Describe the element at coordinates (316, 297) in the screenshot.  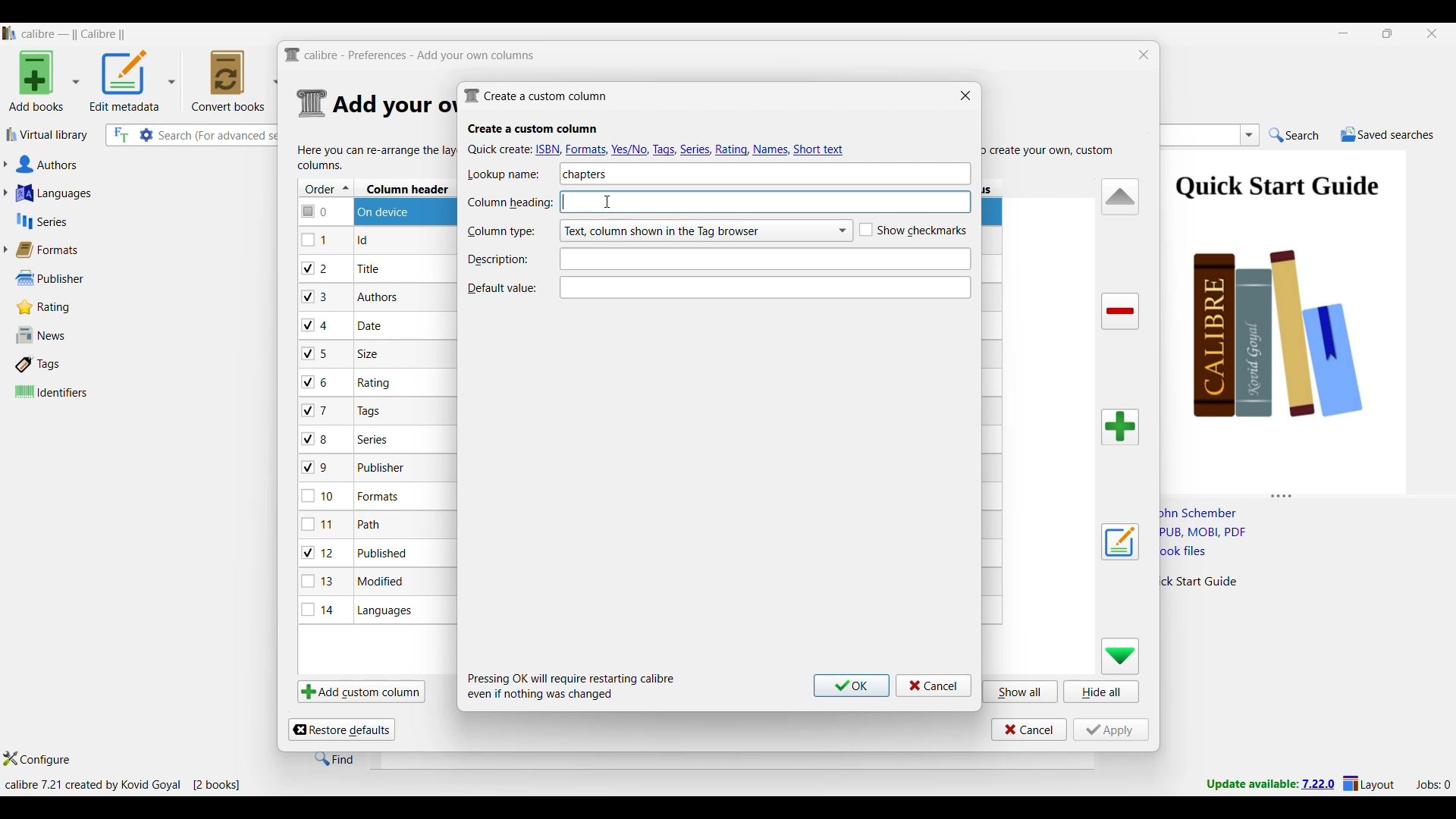
I see `checkbox - 3` at that location.